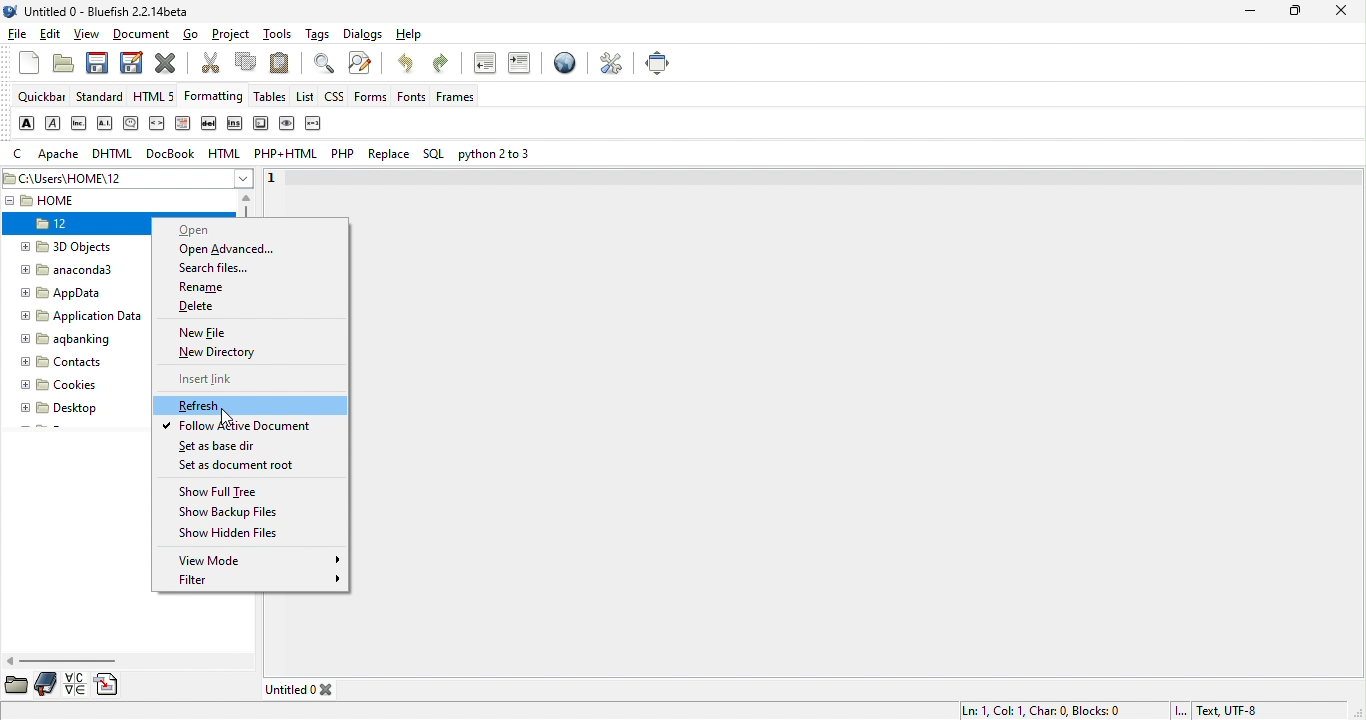 The height and width of the screenshot is (720, 1366). What do you see at coordinates (79, 124) in the screenshot?
I see `abbreviation` at bounding box center [79, 124].